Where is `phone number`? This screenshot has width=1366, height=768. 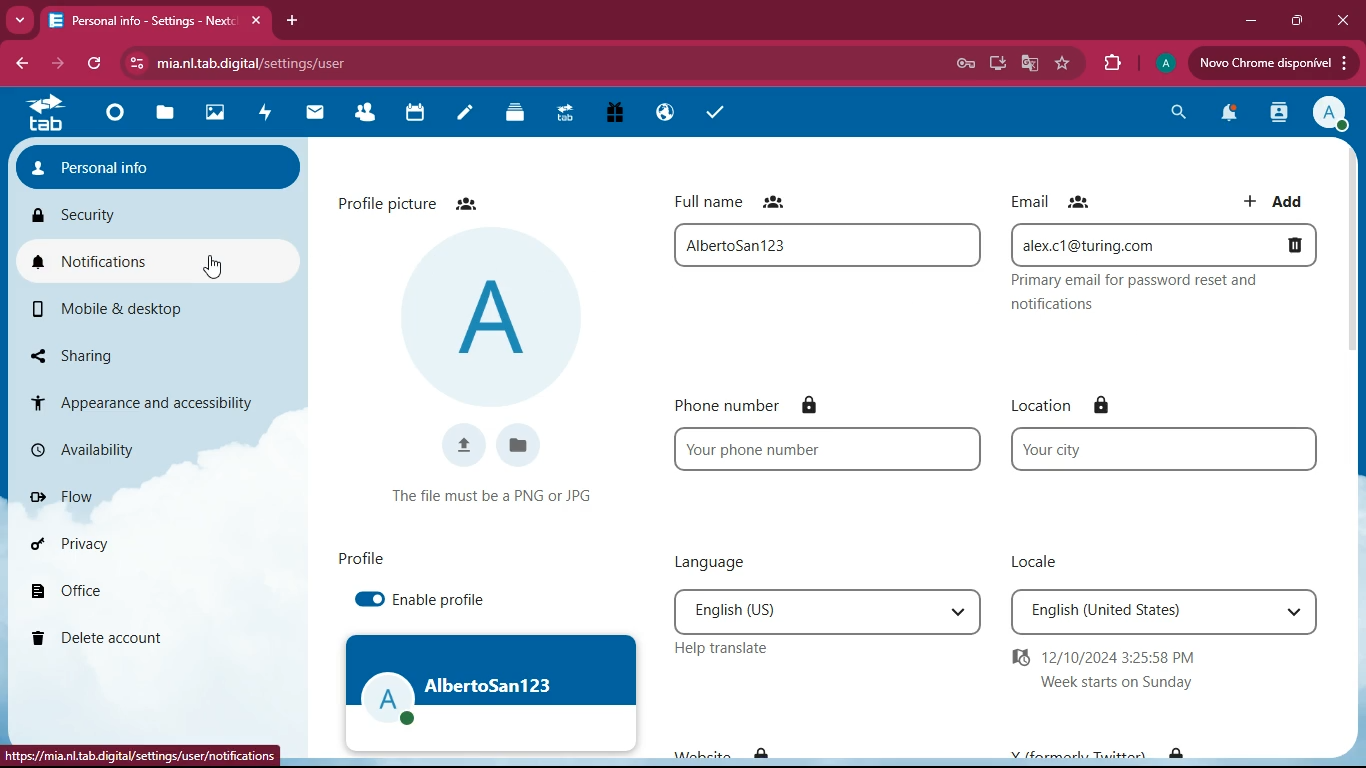
phone number is located at coordinates (826, 449).